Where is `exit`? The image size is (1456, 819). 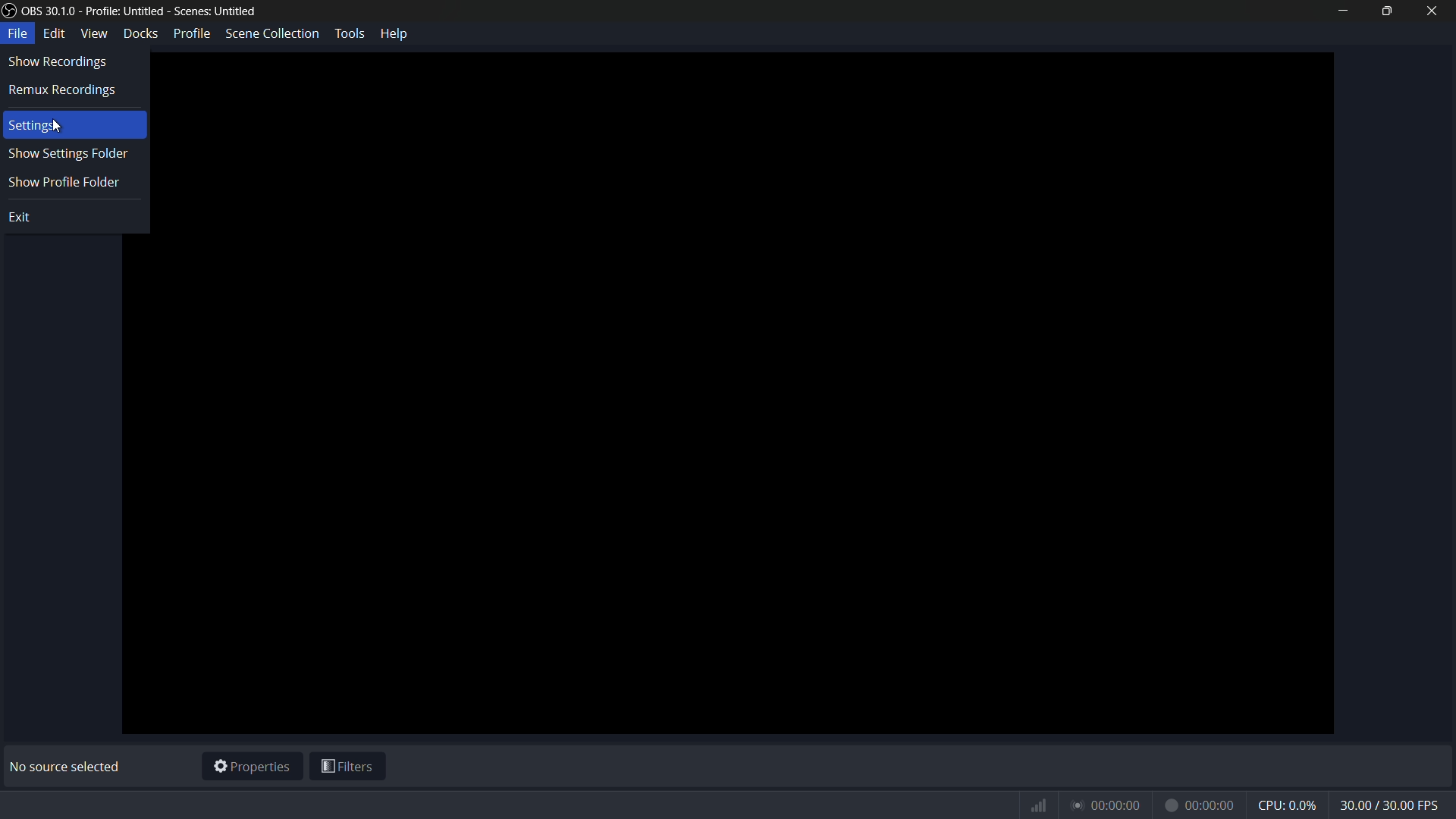 exit is located at coordinates (24, 218).